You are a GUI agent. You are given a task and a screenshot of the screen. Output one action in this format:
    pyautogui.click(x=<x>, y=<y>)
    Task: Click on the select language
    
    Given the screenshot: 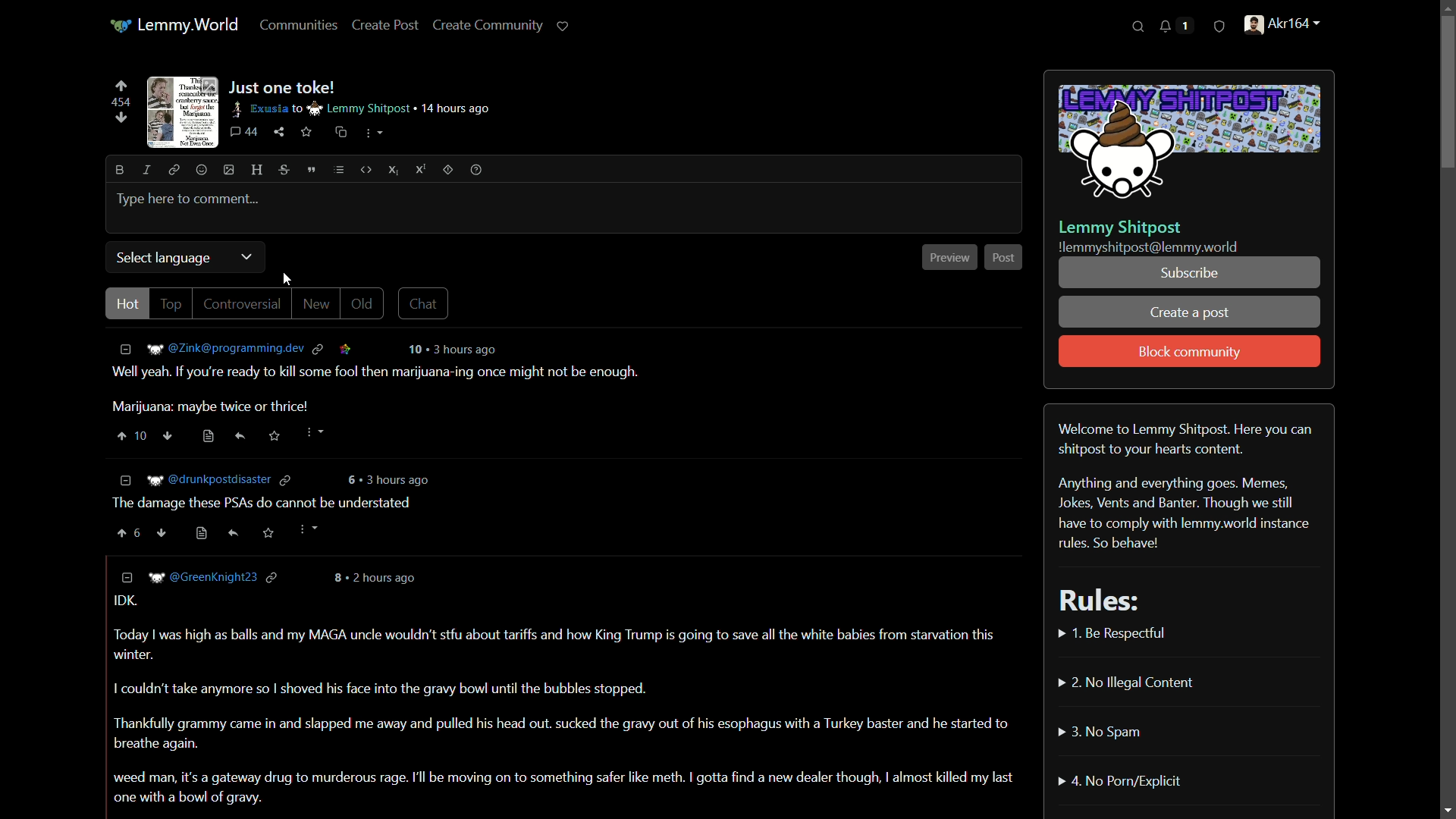 What is the action you would take?
    pyautogui.click(x=184, y=257)
    